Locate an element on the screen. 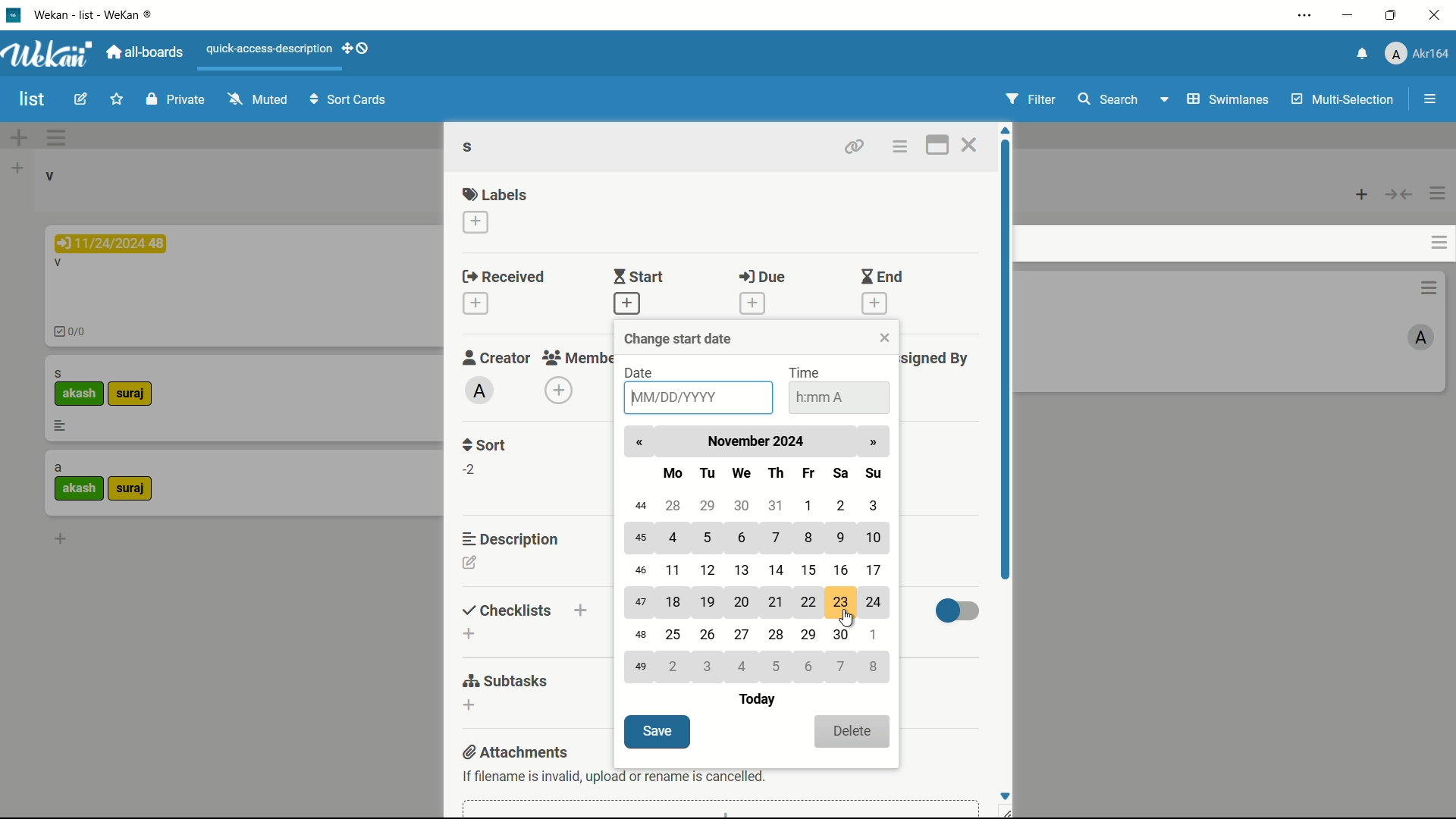  admin is located at coordinates (1420, 338).